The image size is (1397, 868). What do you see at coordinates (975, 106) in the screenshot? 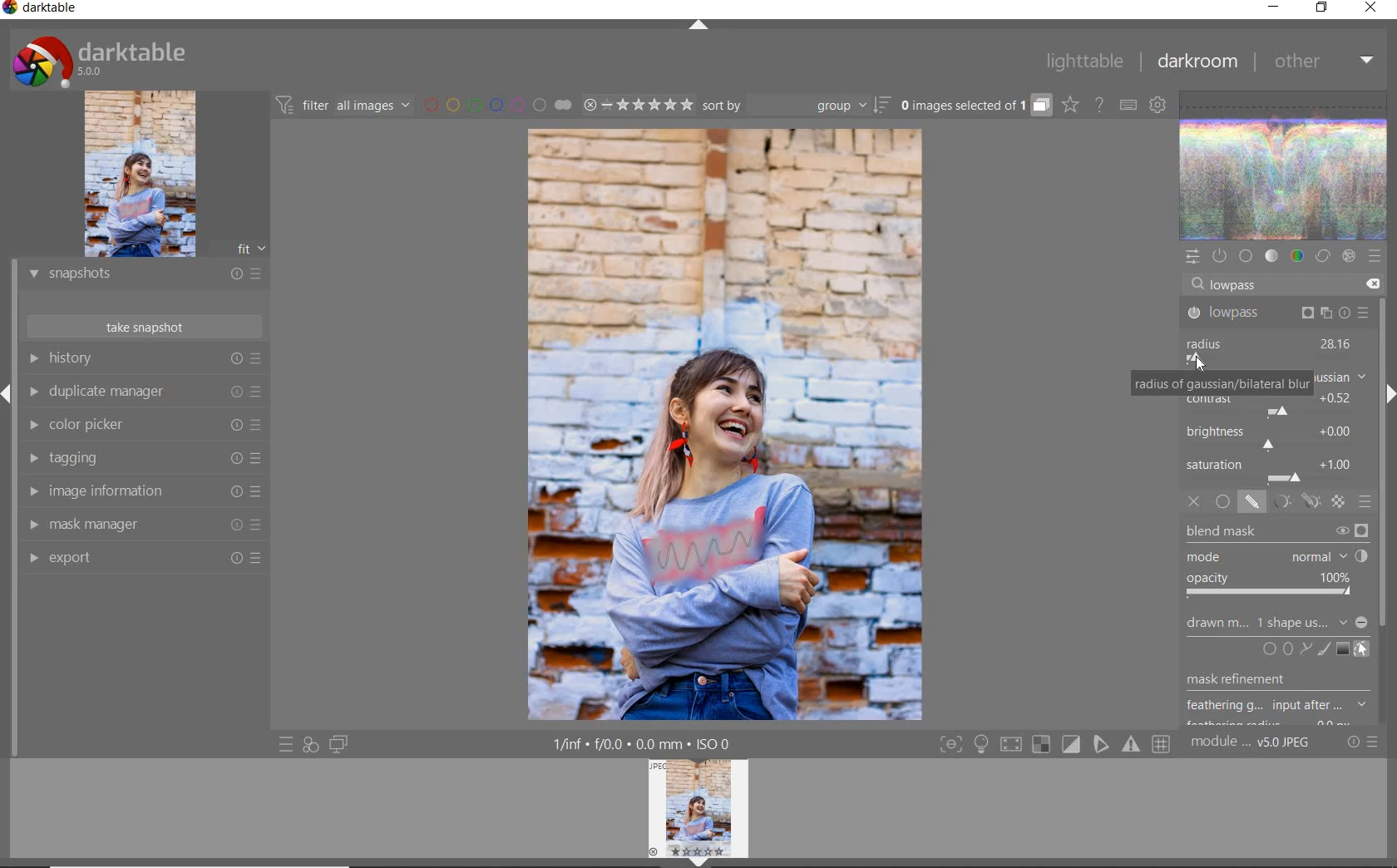
I see `grouped images` at bounding box center [975, 106].